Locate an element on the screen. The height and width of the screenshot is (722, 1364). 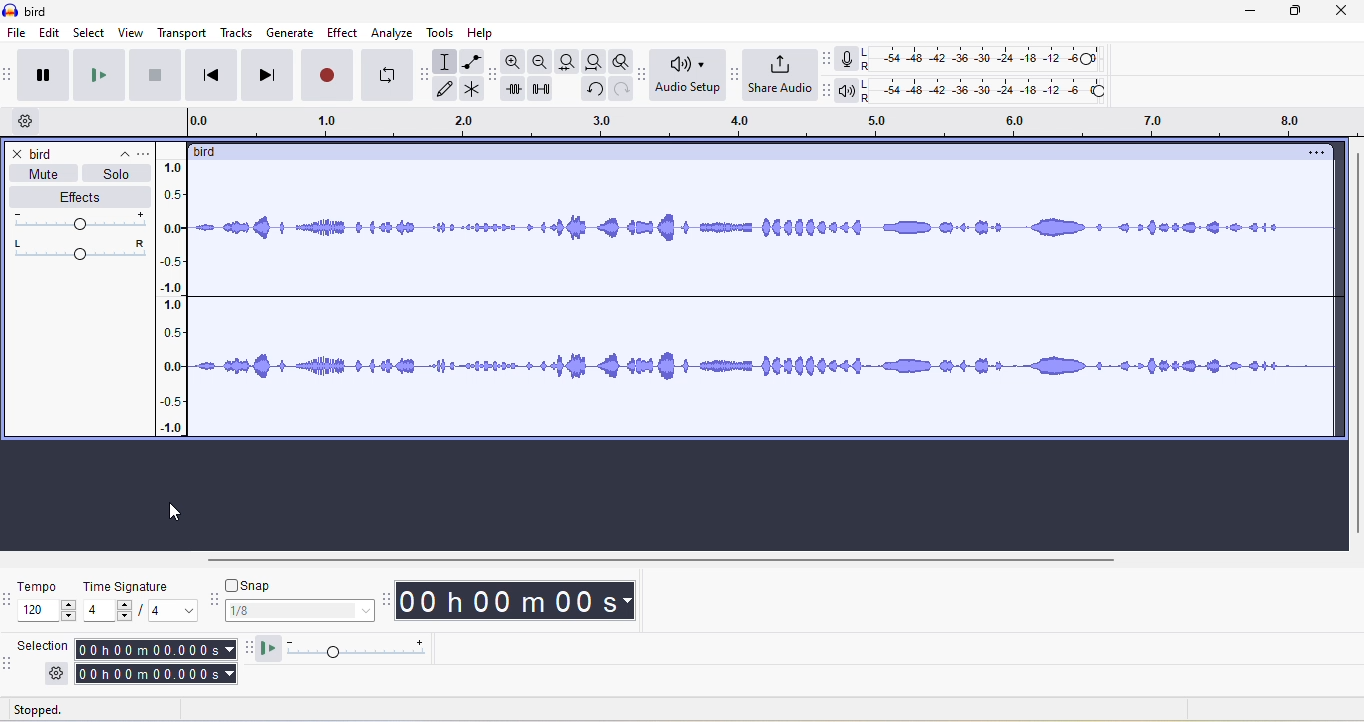
bird is located at coordinates (213, 152).